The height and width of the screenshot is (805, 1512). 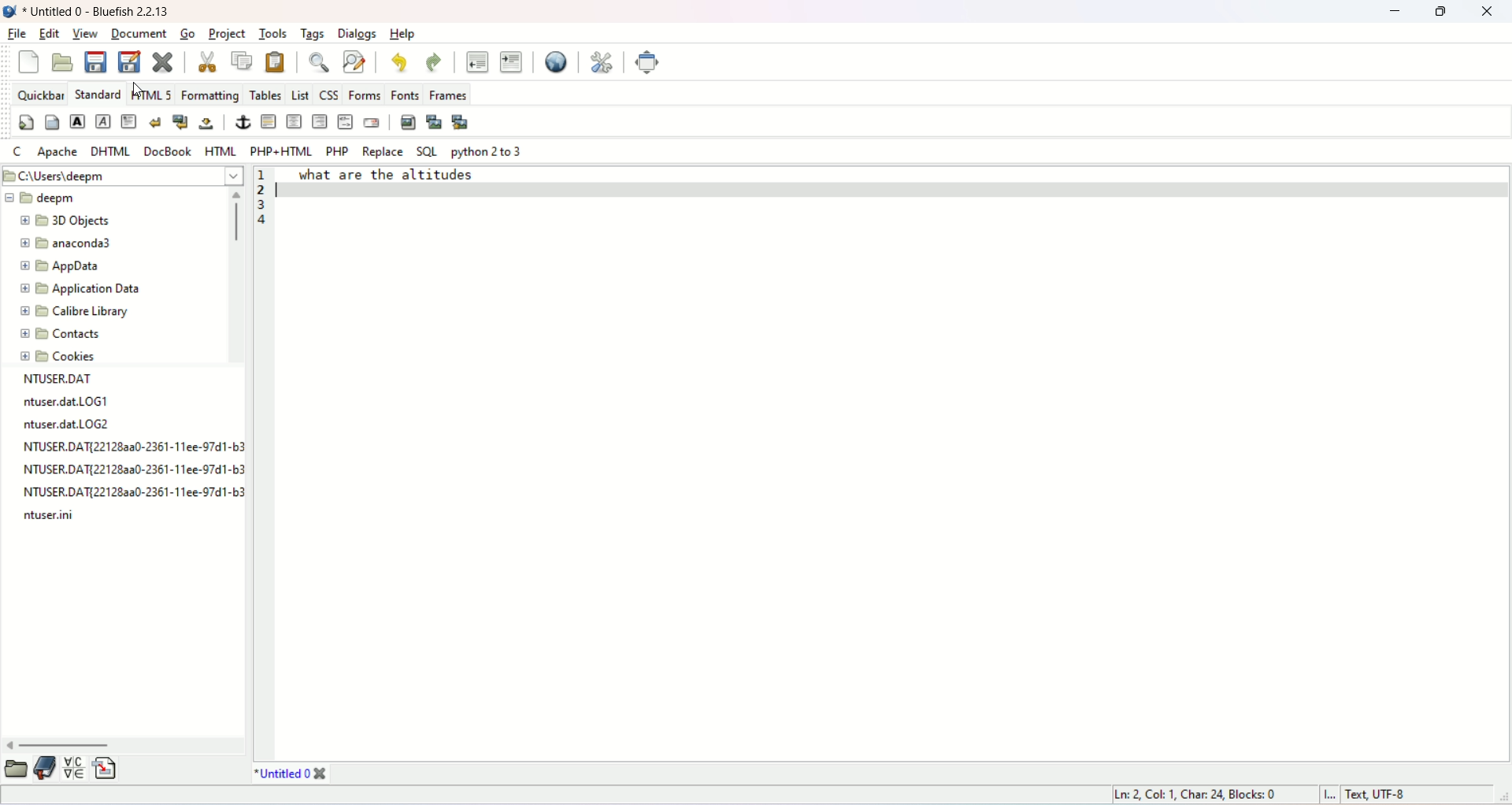 I want to click on deepm, so click(x=41, y=197).